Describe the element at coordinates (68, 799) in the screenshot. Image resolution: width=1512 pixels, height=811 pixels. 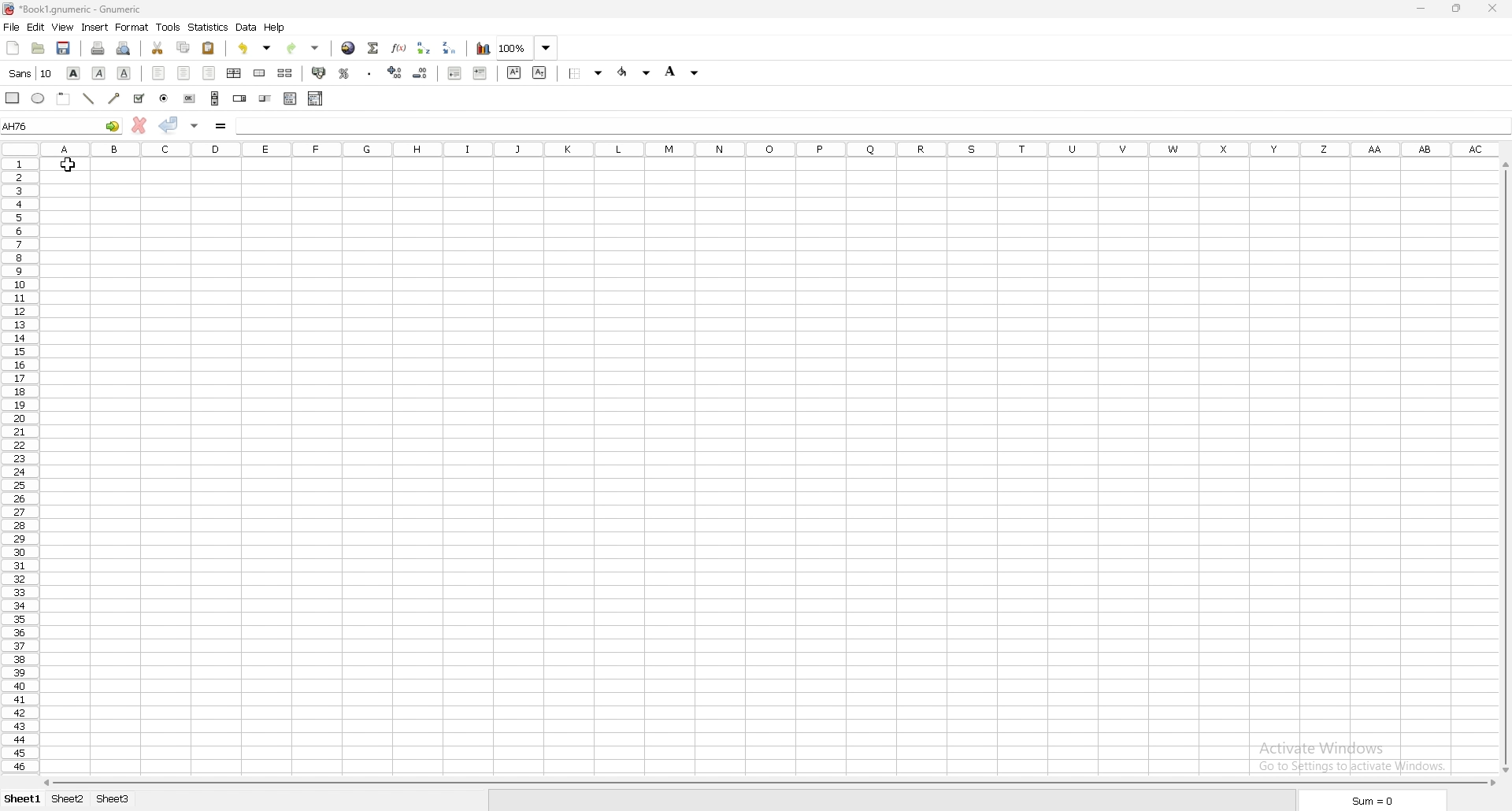
I see `sheet 2` at that location.